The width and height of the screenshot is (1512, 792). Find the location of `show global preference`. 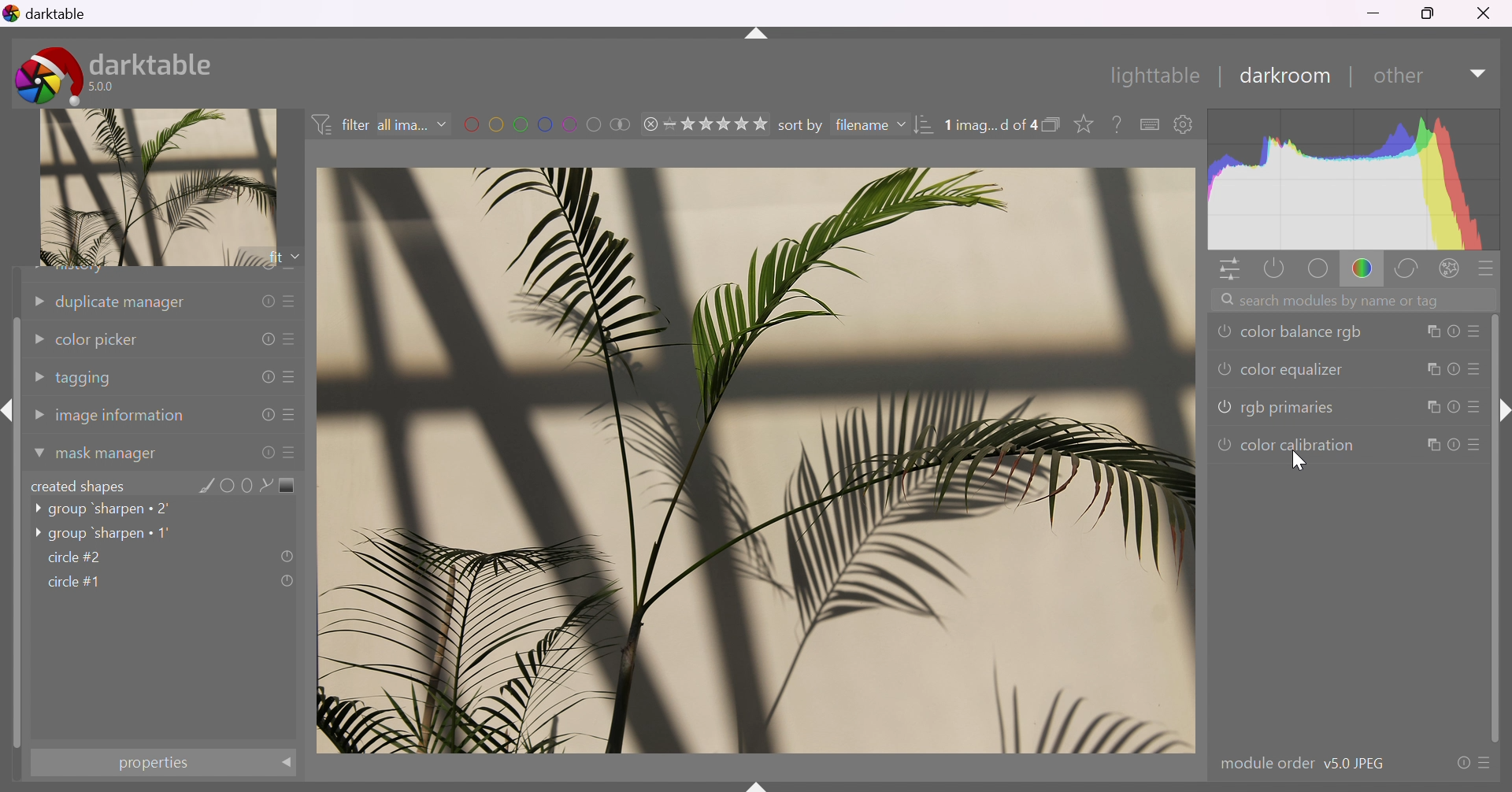

show global preference is located at coordinates (1184, 124).